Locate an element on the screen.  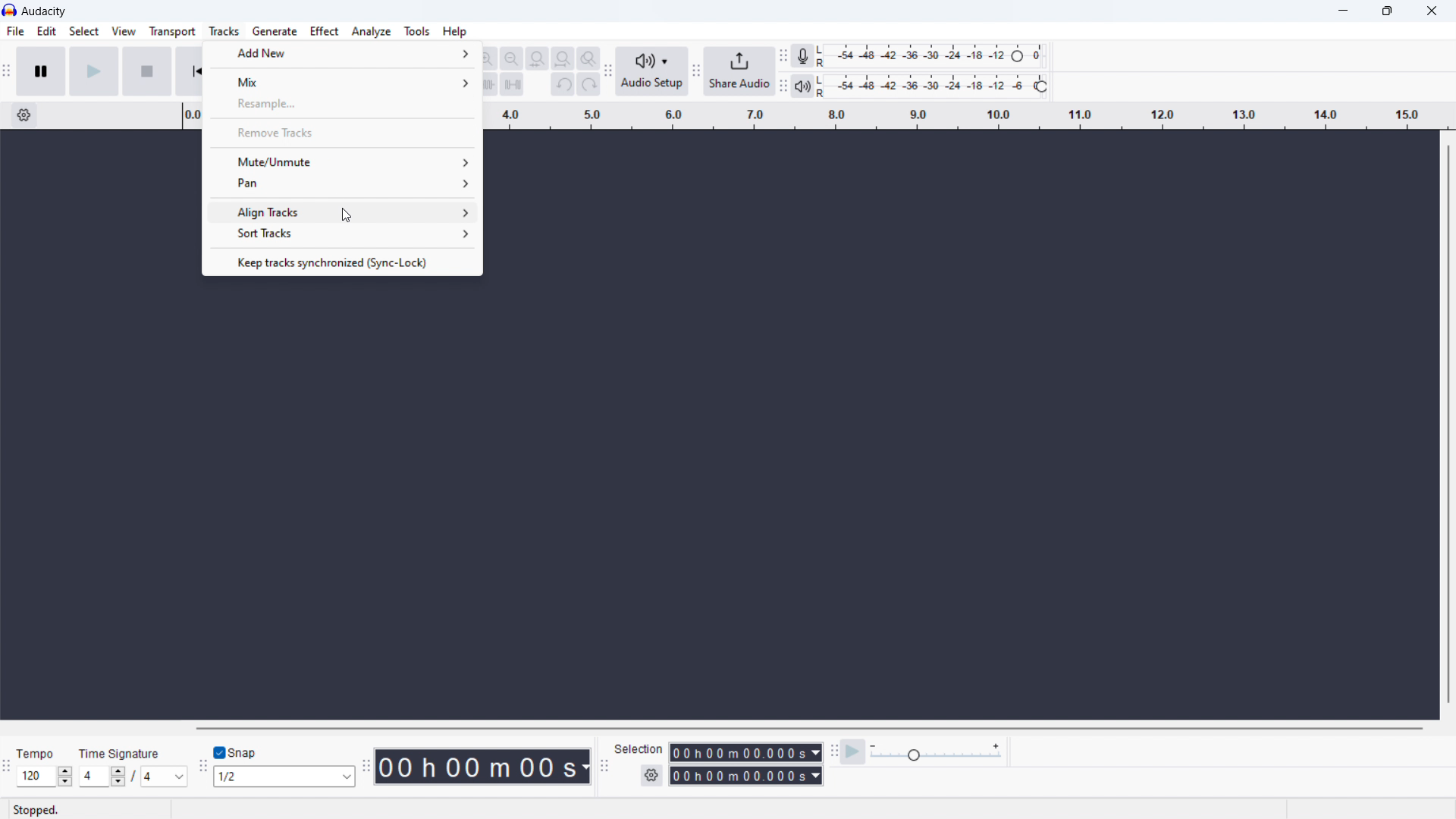
toggle zoom is located at coordinates (588, 58).